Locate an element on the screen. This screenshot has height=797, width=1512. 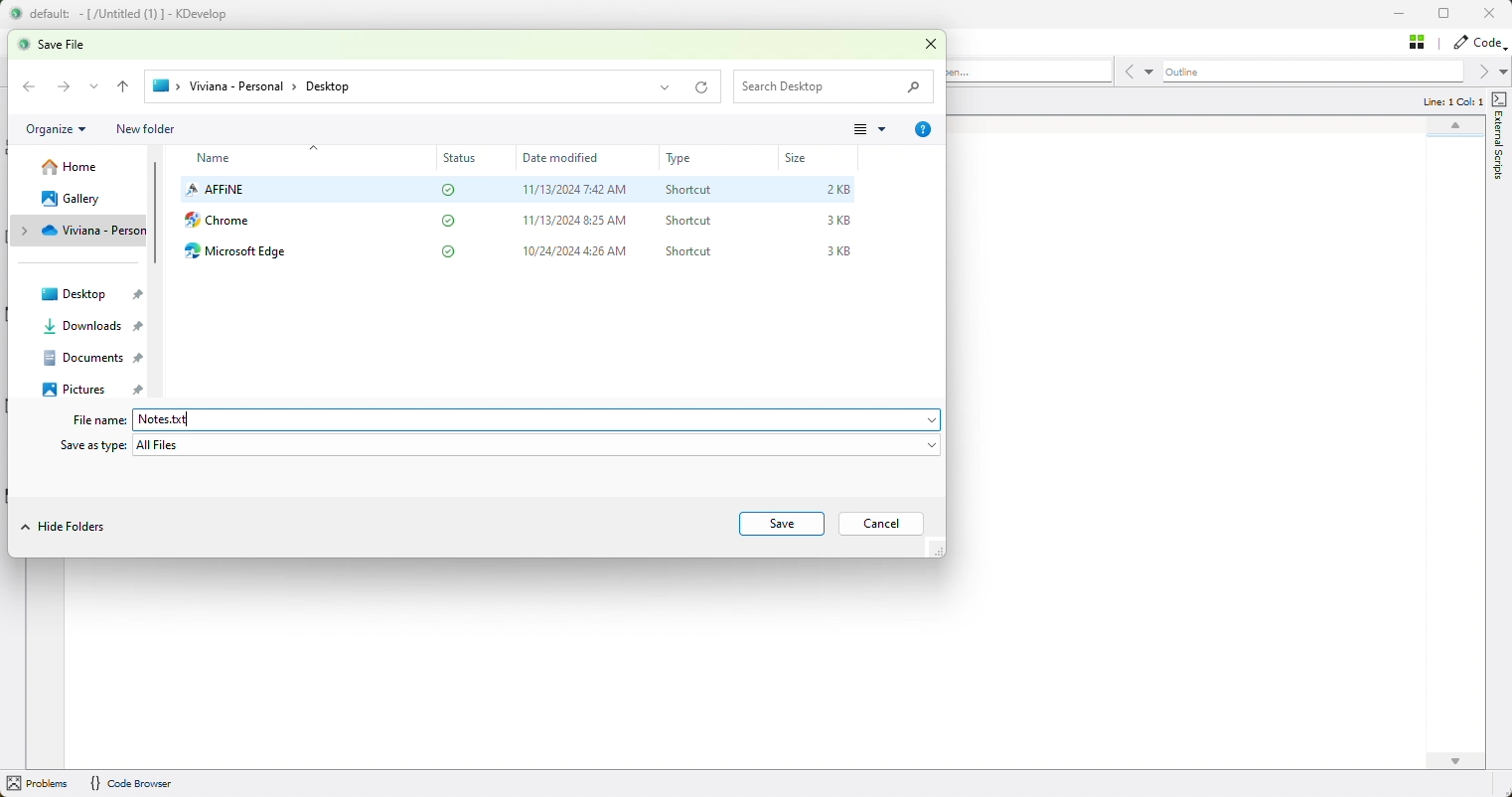
save location is located at coordinates (434, 87).